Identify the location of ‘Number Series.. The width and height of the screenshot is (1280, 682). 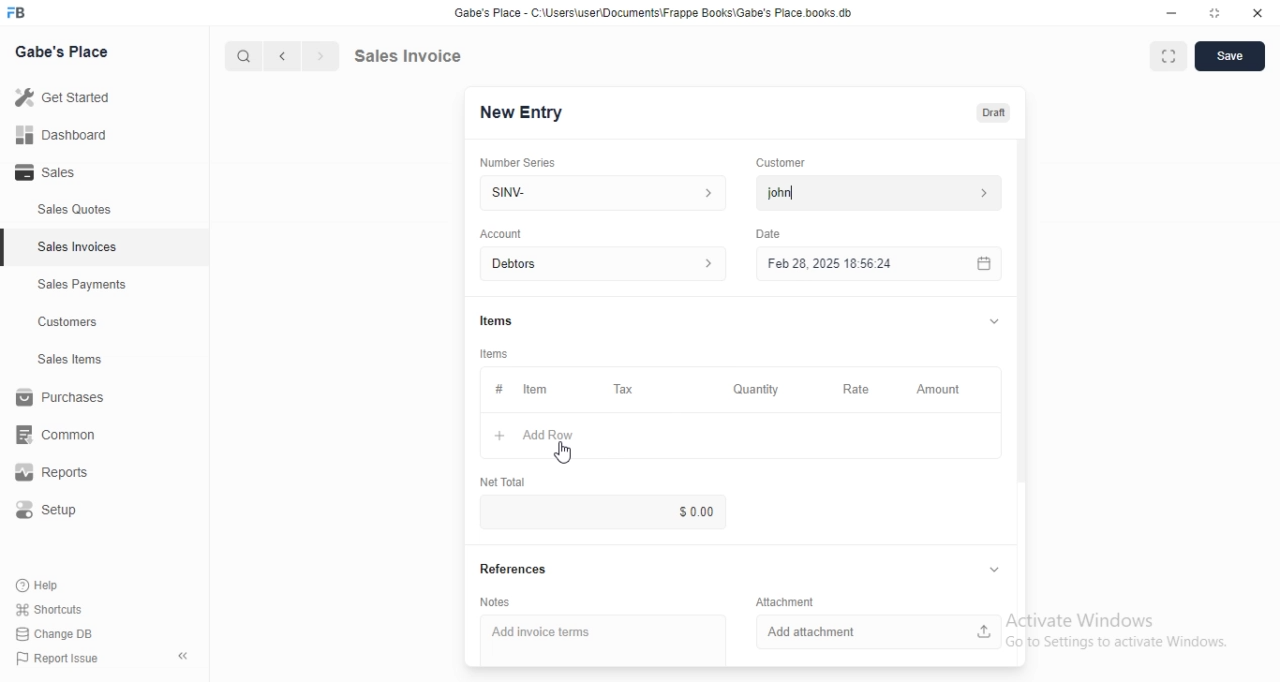
(520, 161).